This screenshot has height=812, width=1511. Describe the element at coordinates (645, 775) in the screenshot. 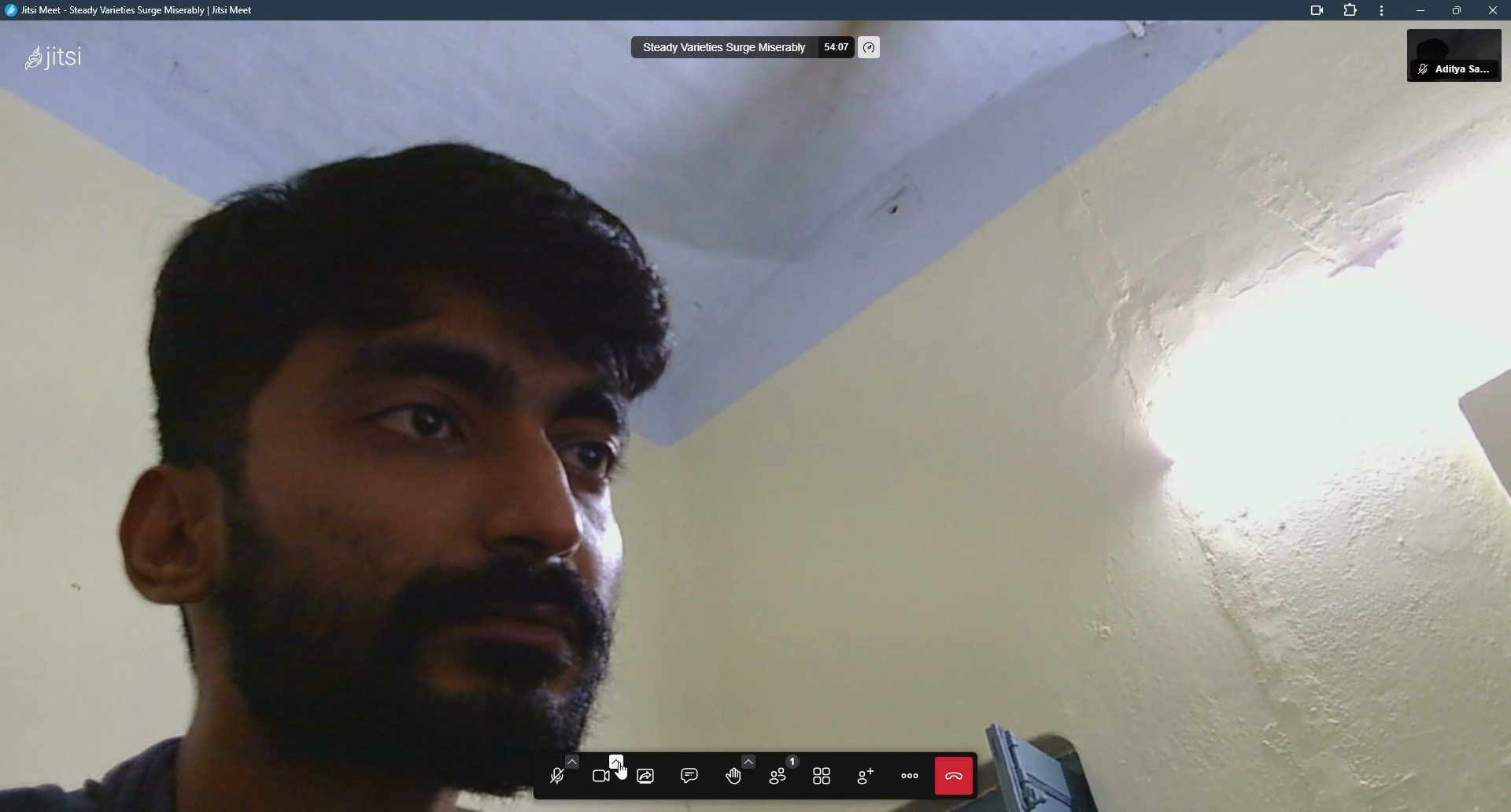

I see `share screen` at that location.